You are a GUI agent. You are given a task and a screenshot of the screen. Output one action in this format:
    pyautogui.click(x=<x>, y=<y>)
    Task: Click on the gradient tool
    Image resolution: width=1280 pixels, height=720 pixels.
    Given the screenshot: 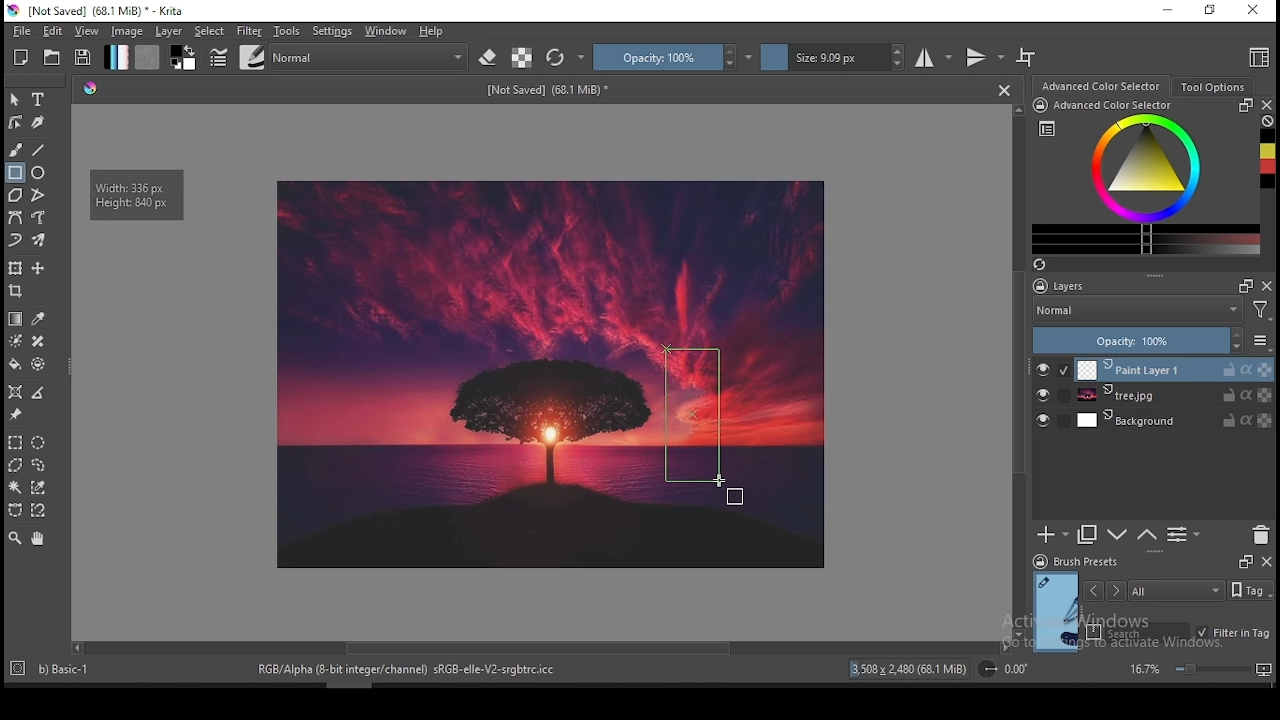 What is the action you would take?
    pyautogui.click(x=16, y=318)
    